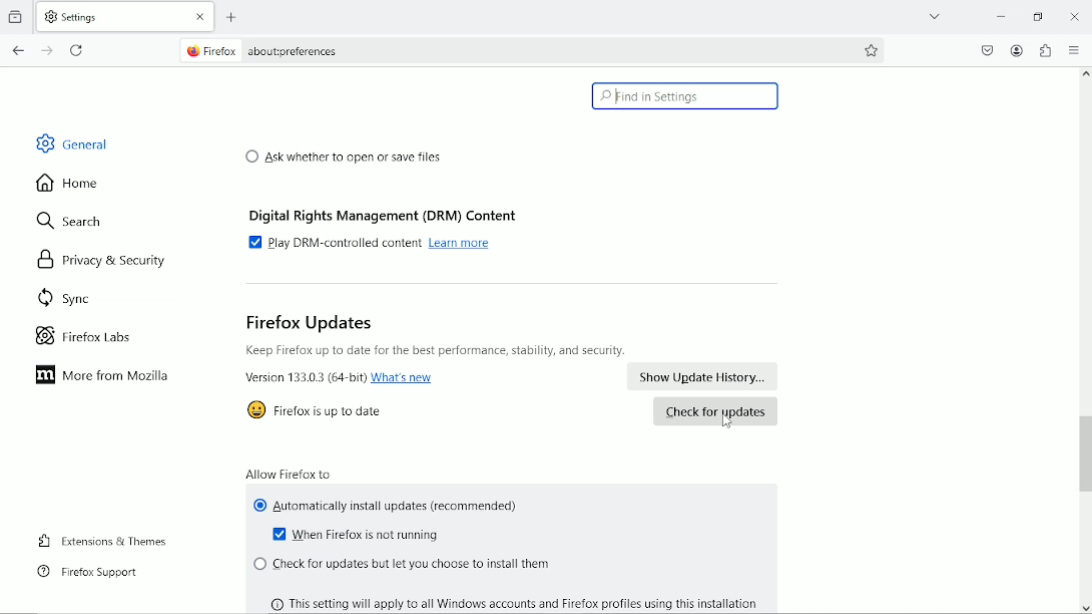 Image resolution: width=1092 pixels, height=614 pixels. I want to click on Close, so click(201, 16).